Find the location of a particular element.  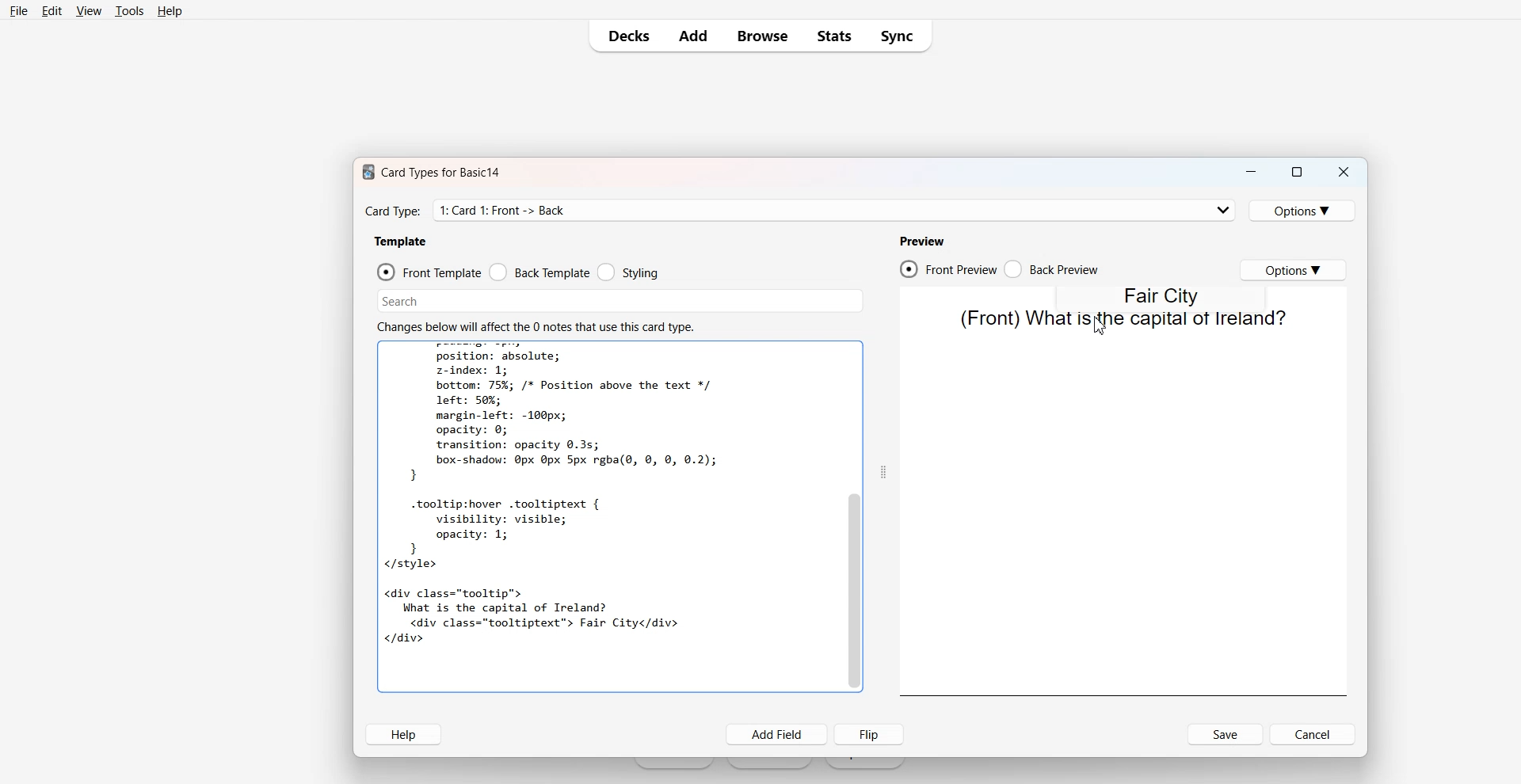

Cursor is located at coordinates (1100, 325).